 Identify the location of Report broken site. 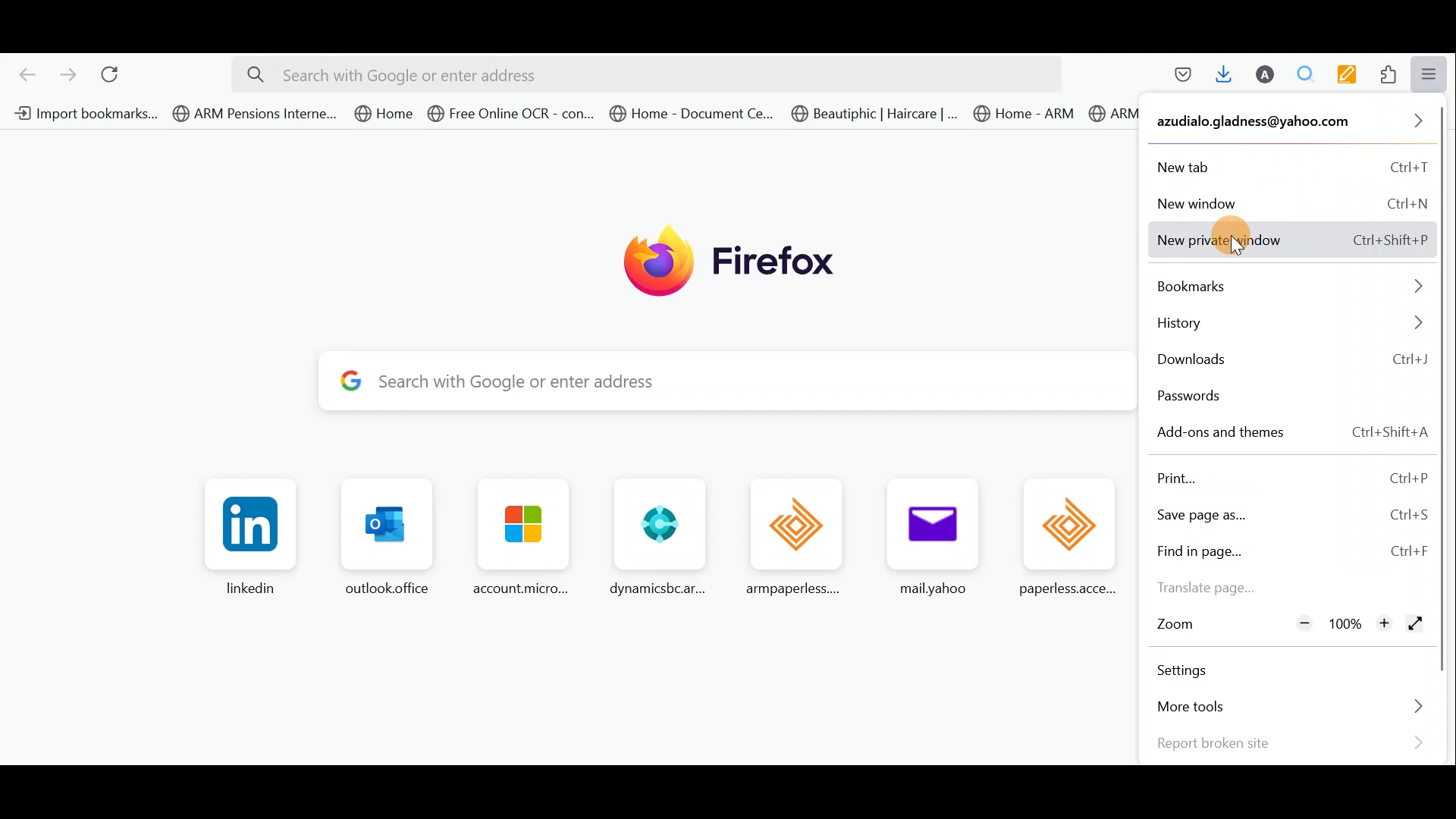
(1289, 742).